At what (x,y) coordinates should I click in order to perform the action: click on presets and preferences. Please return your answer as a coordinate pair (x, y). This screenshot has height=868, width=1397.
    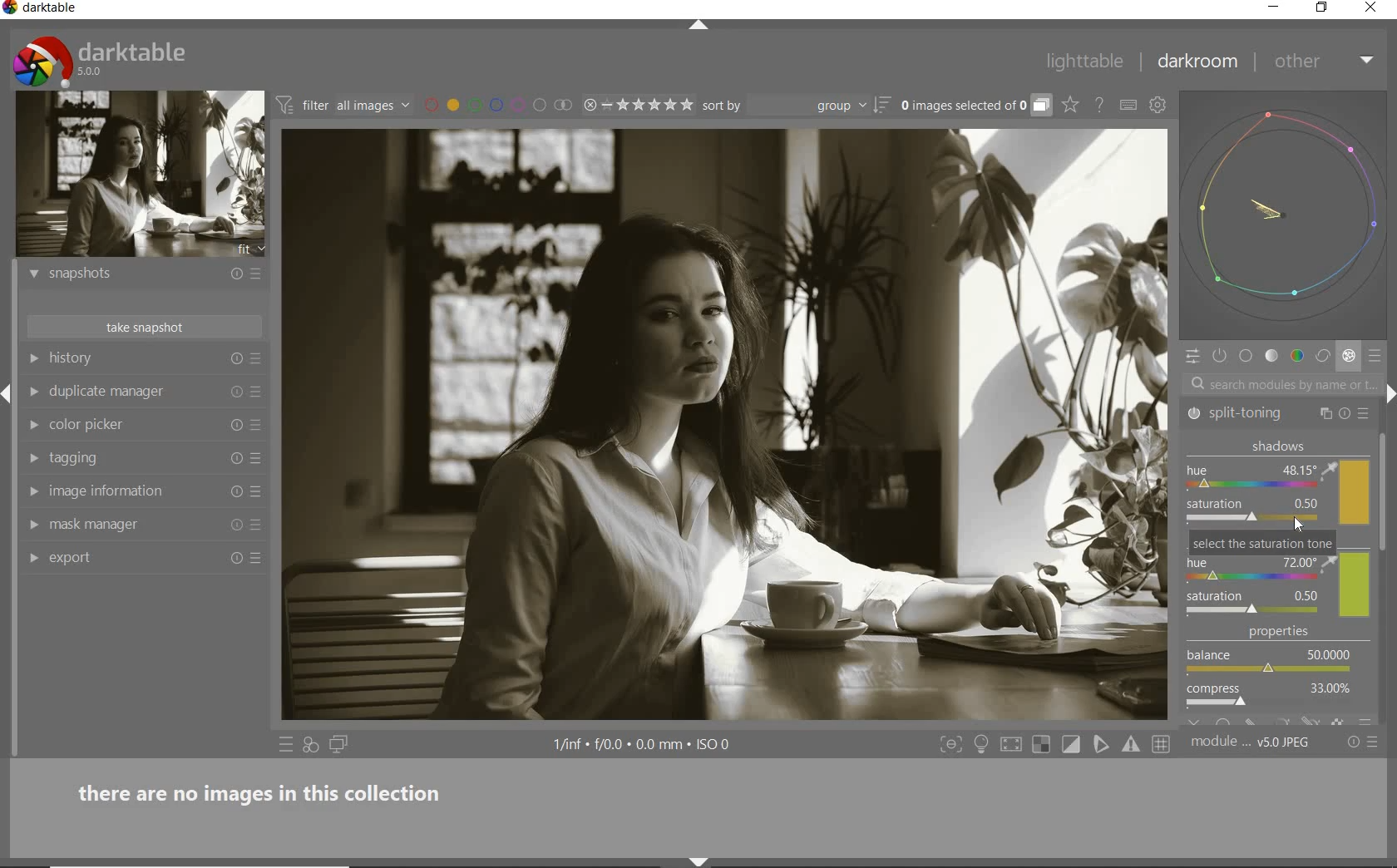
    Looking at the image, I should click on (255, 274).